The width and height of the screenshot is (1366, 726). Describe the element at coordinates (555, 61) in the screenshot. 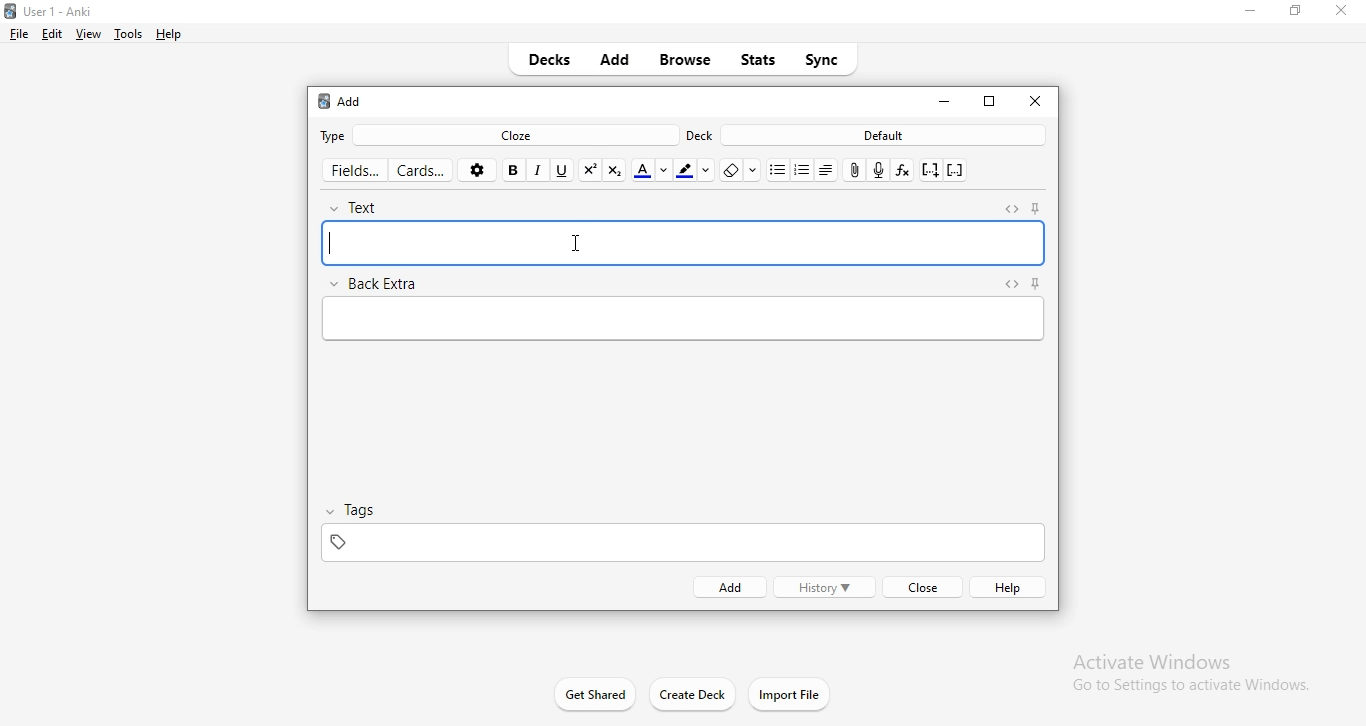

I see `decks` at that location.